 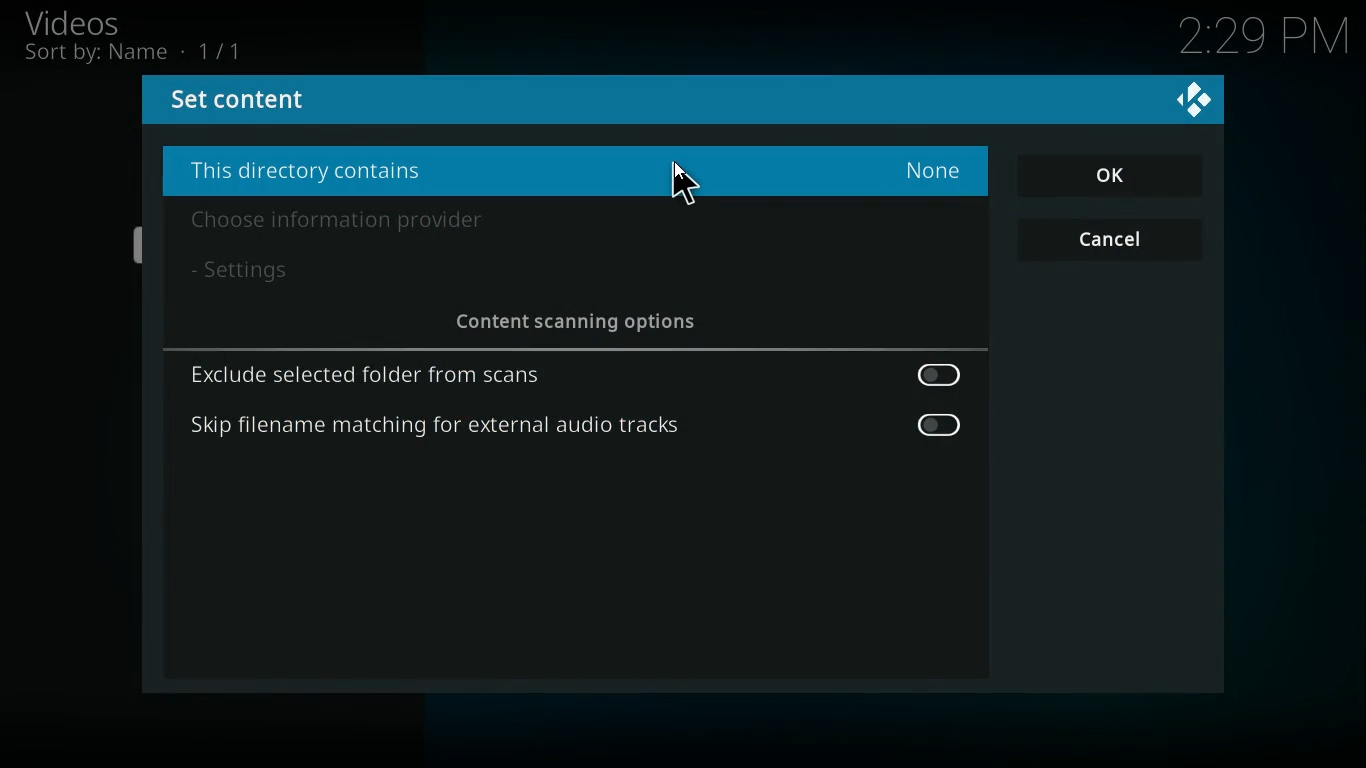 I want to click on videos, so click(x=96, y=22).